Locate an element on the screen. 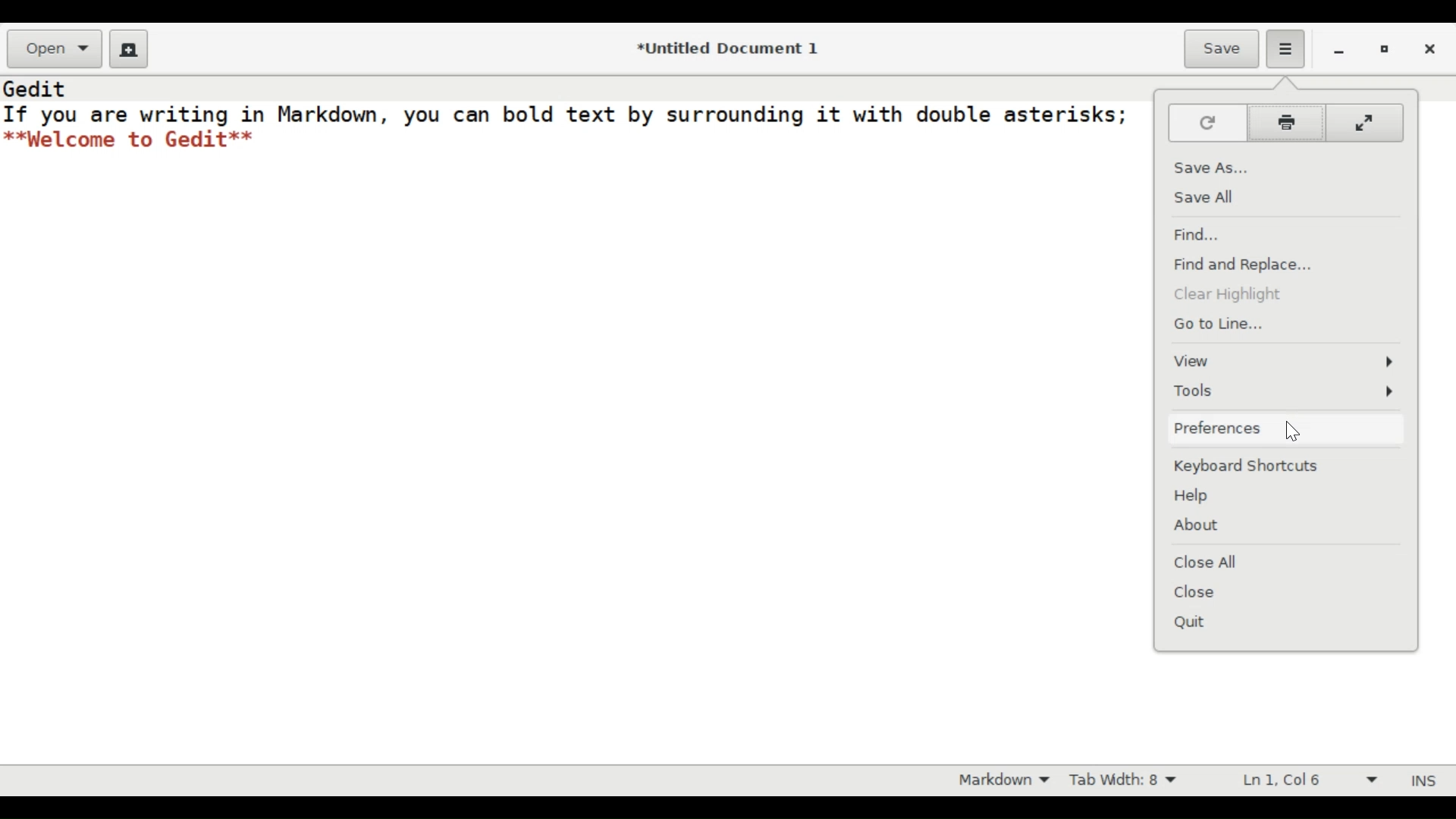  Cursor is located at coordinates (1294, 431).